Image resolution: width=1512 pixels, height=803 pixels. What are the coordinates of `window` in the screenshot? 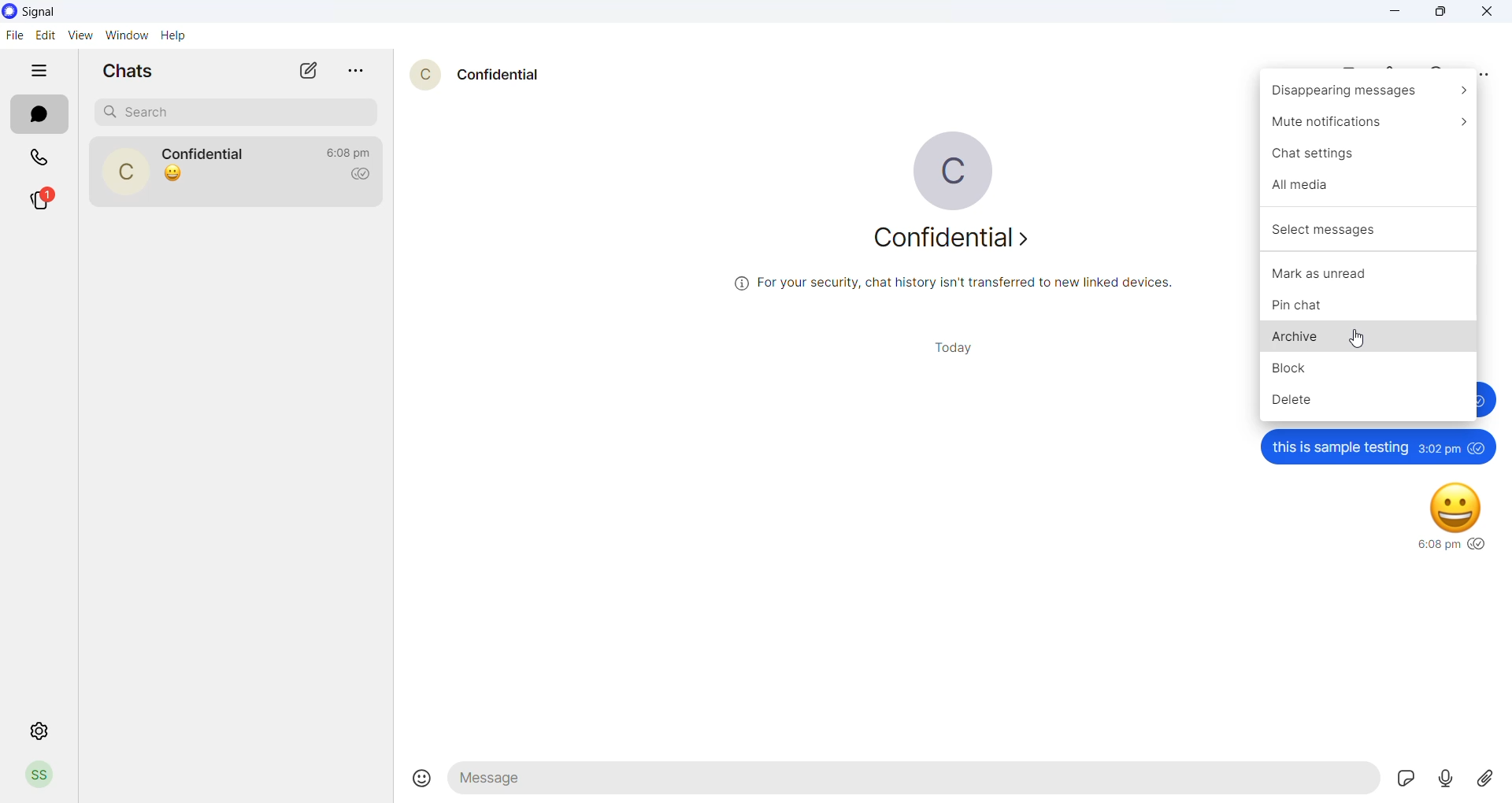 It's located at (125, 35).